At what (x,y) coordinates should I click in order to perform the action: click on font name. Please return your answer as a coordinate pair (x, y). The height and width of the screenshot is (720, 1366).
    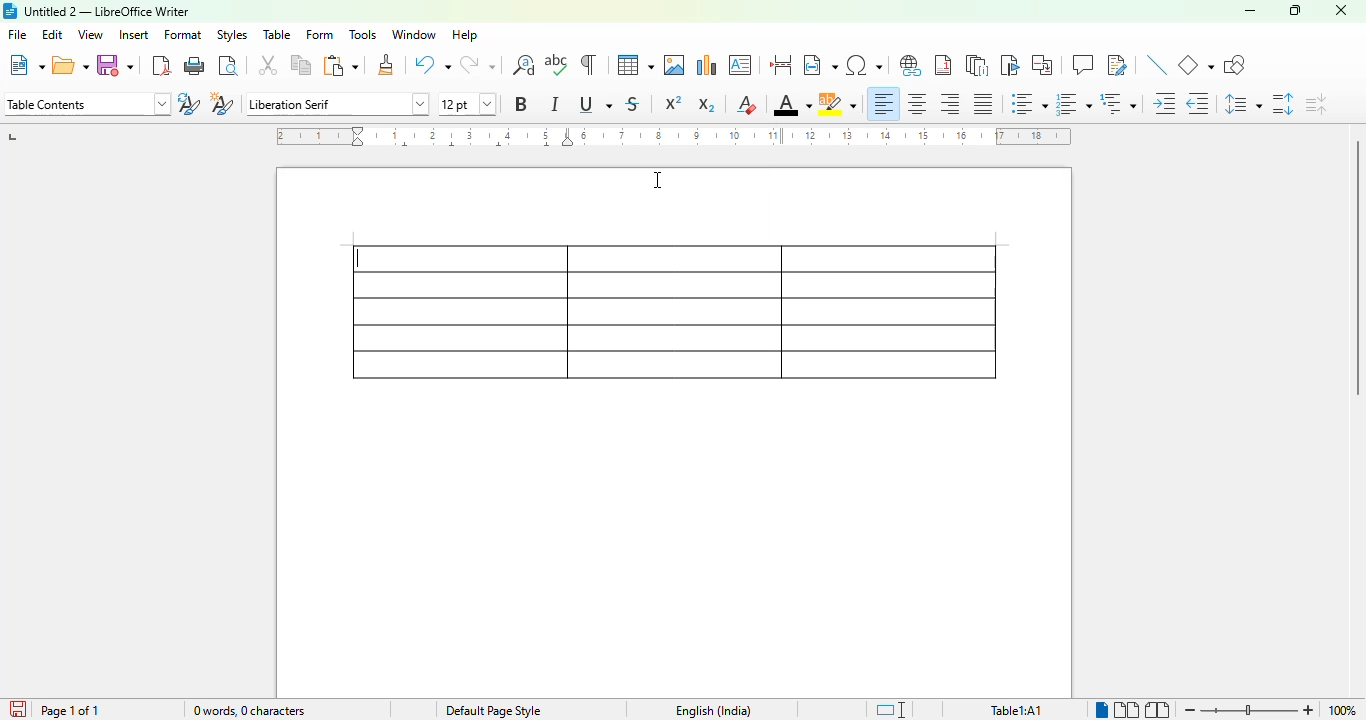
    Looking at the image, I should click on (338, 104).